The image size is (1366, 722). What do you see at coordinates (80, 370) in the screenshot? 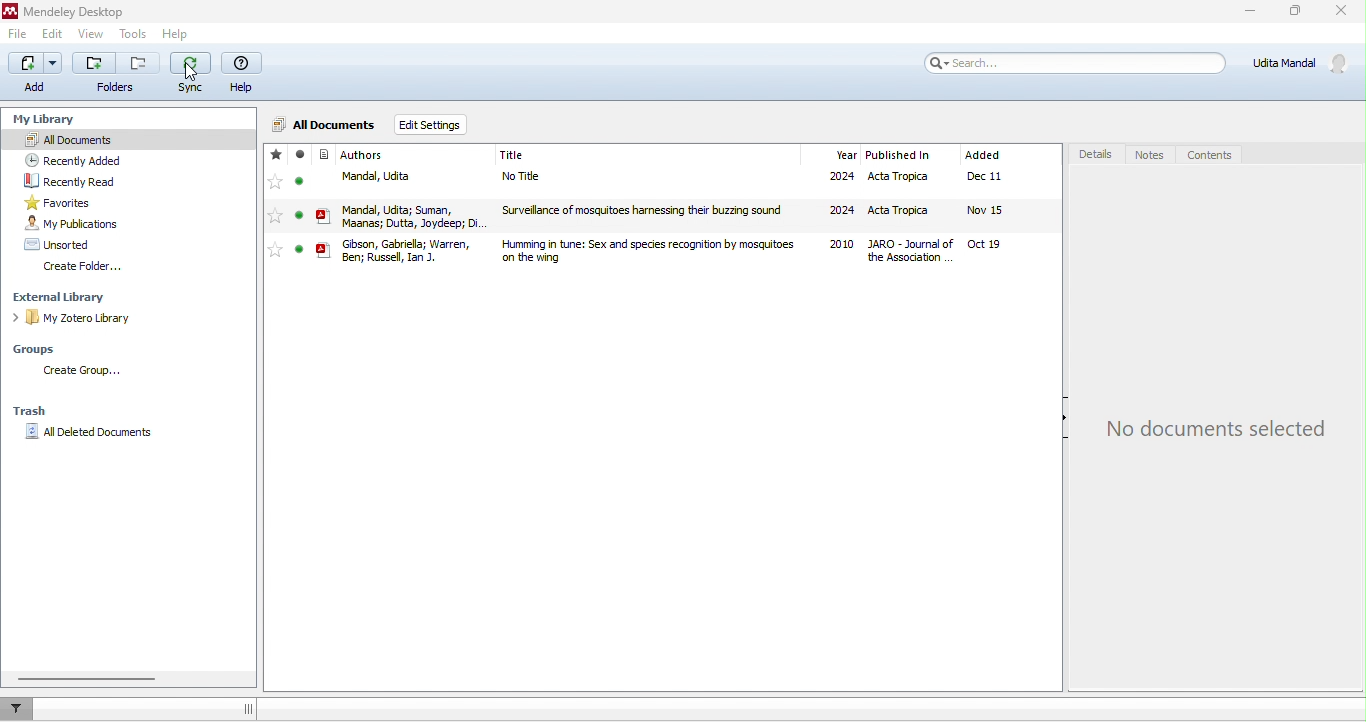
I see `create group` at bounding box center [80, 370].